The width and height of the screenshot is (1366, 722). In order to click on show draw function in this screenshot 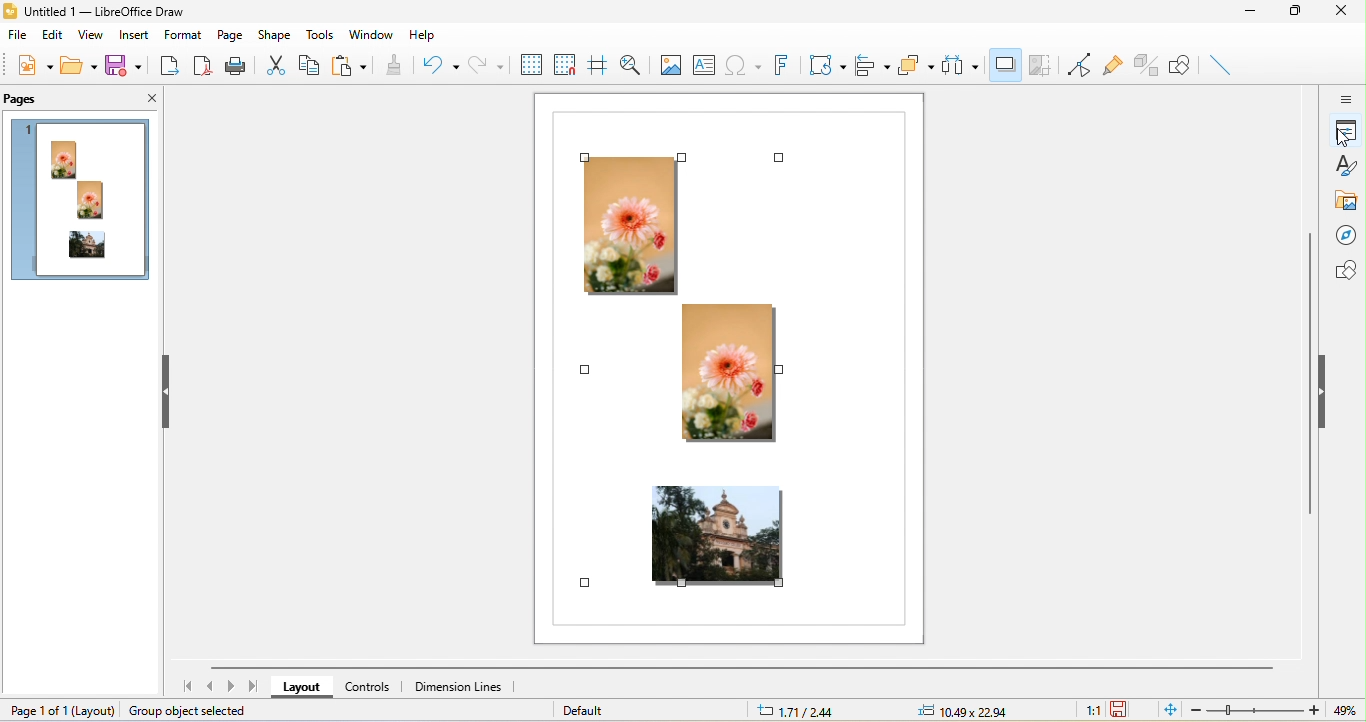, I will do `click(1184, 66)`.